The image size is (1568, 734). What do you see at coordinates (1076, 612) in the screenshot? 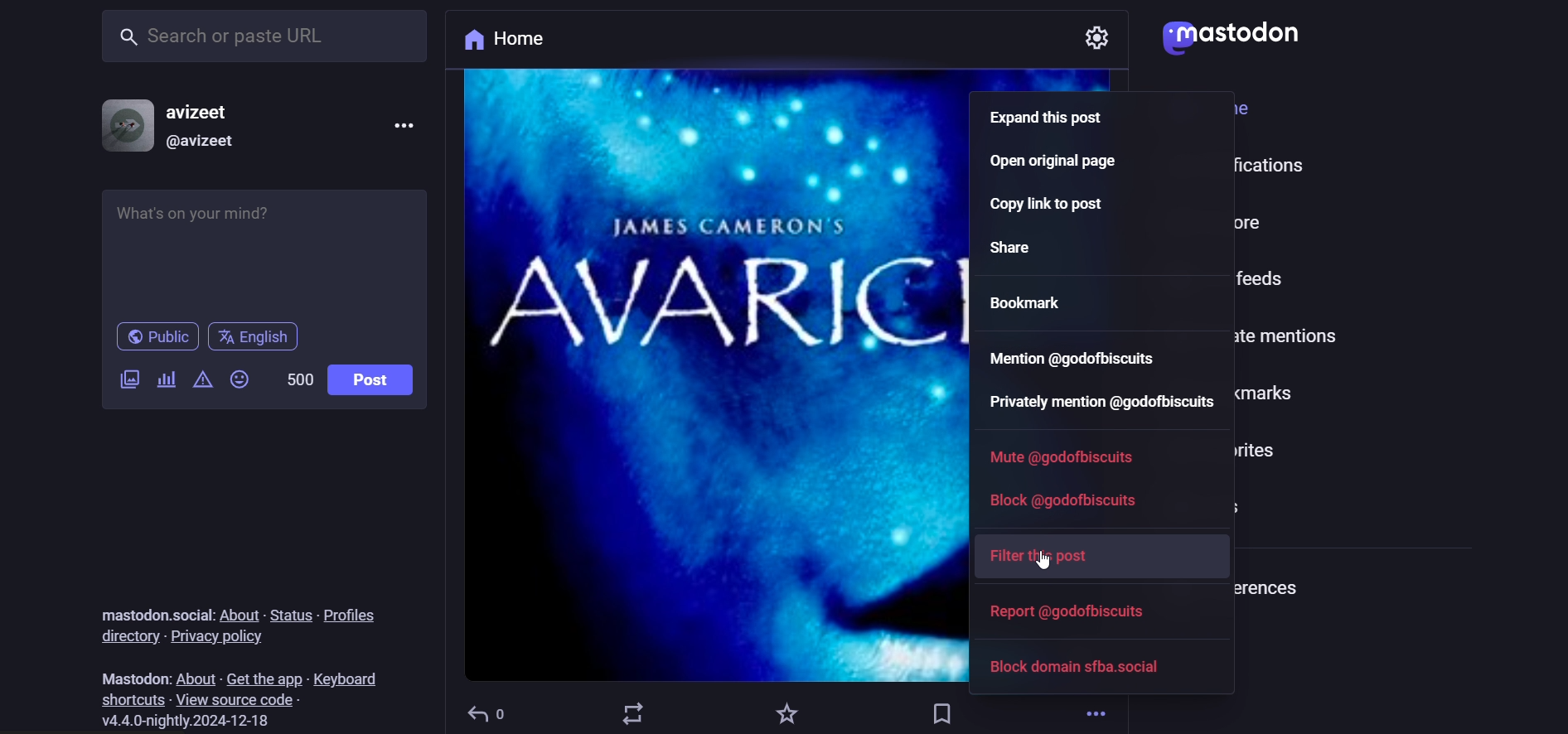
I see `report` at bounding box center [1076, 612].